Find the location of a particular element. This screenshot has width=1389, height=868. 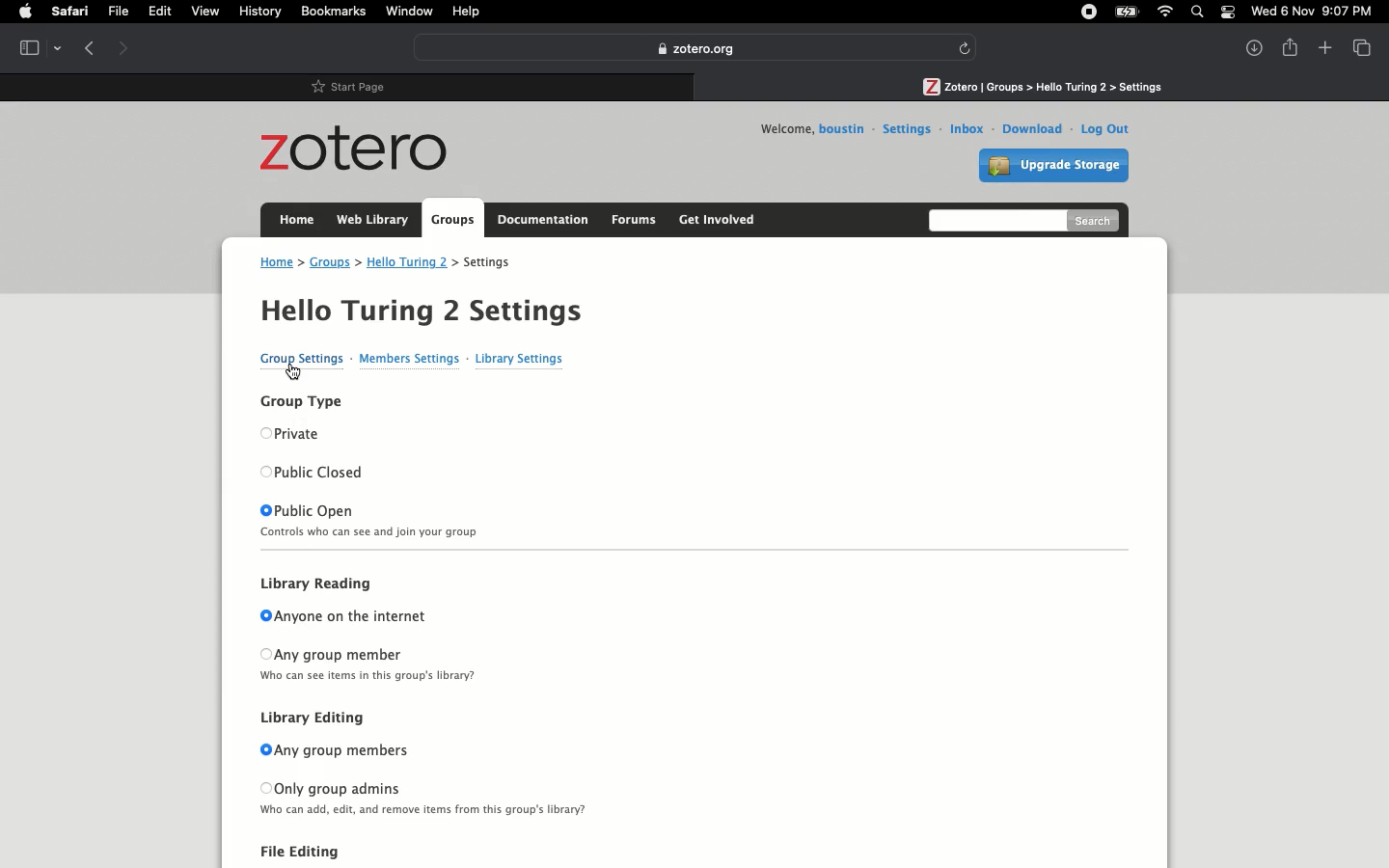

Tab view is located at coordinates (39, 46).